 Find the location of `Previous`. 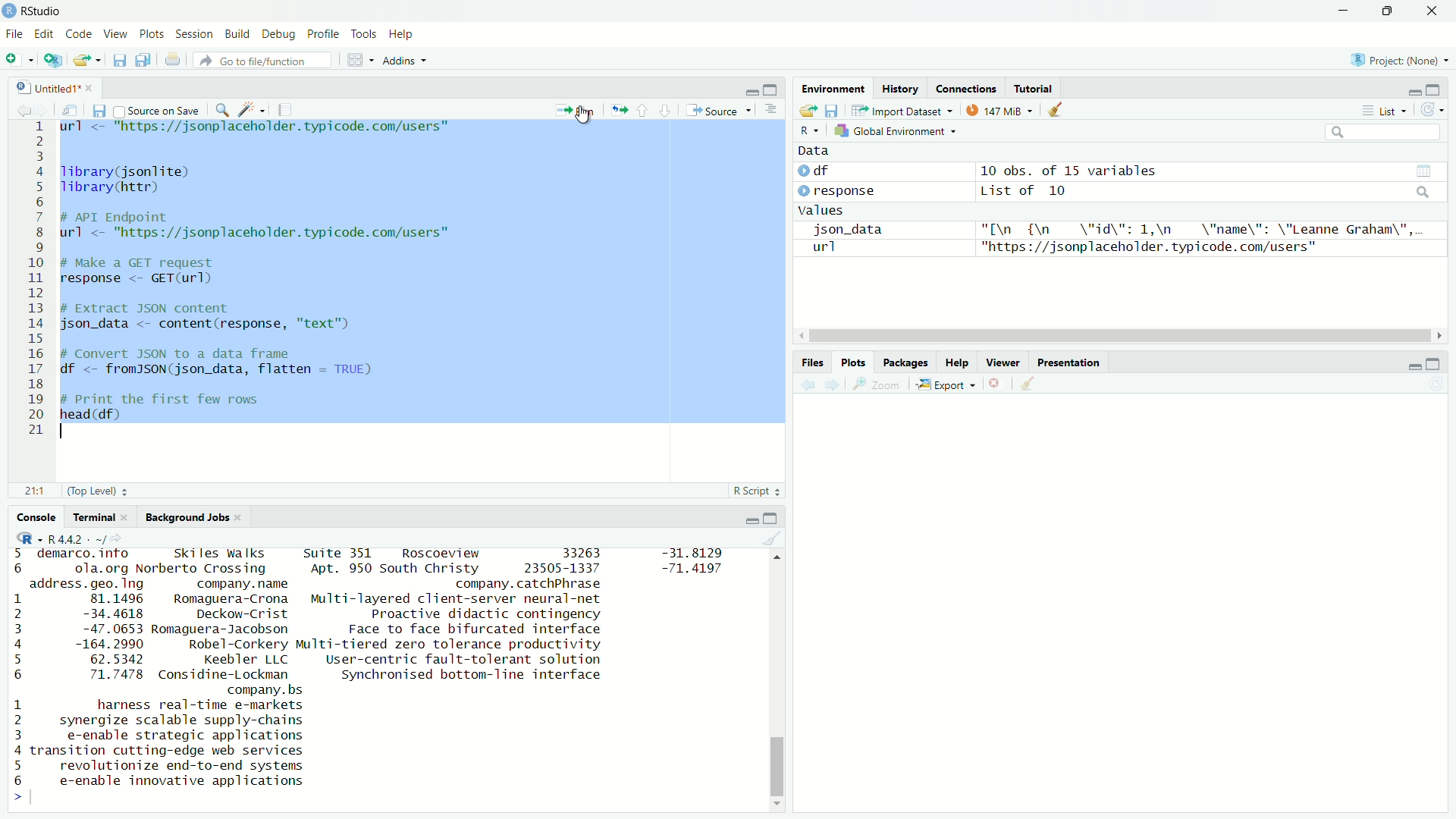

Previous is located at coordinates (807, 388).